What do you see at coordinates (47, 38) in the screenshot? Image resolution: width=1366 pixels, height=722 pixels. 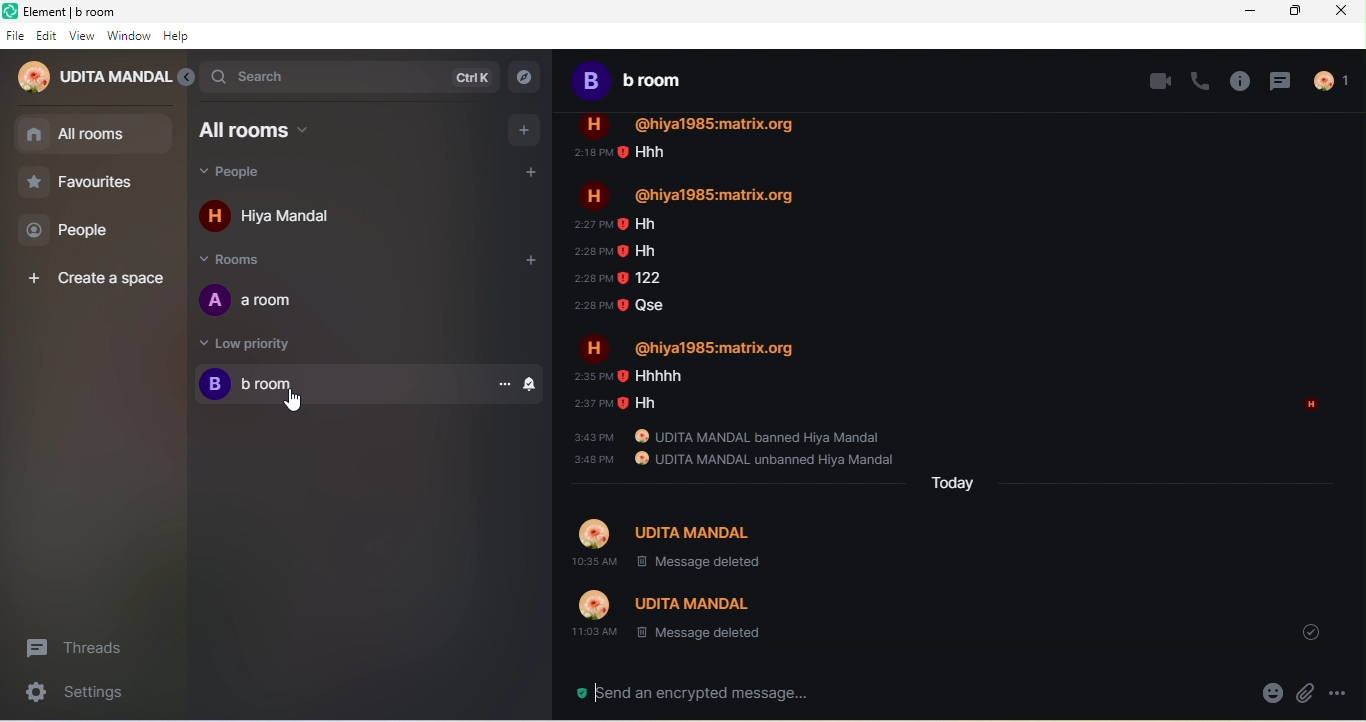 I see `edit` at bounding box center [47, 38].